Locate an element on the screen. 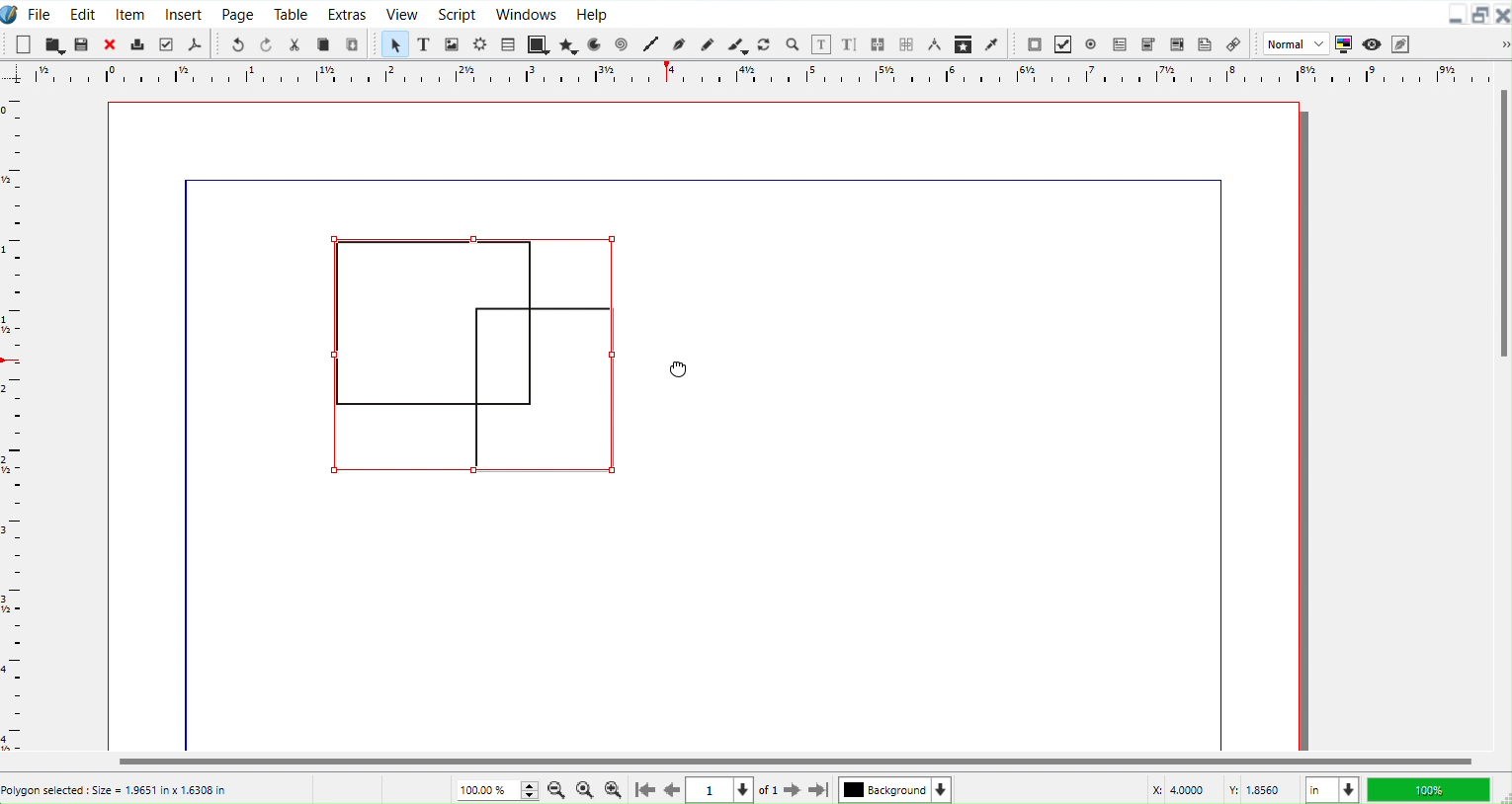 Image resolution: width=1512 pixels, height=804 pixels. Line is located at coordinates (653, 45).